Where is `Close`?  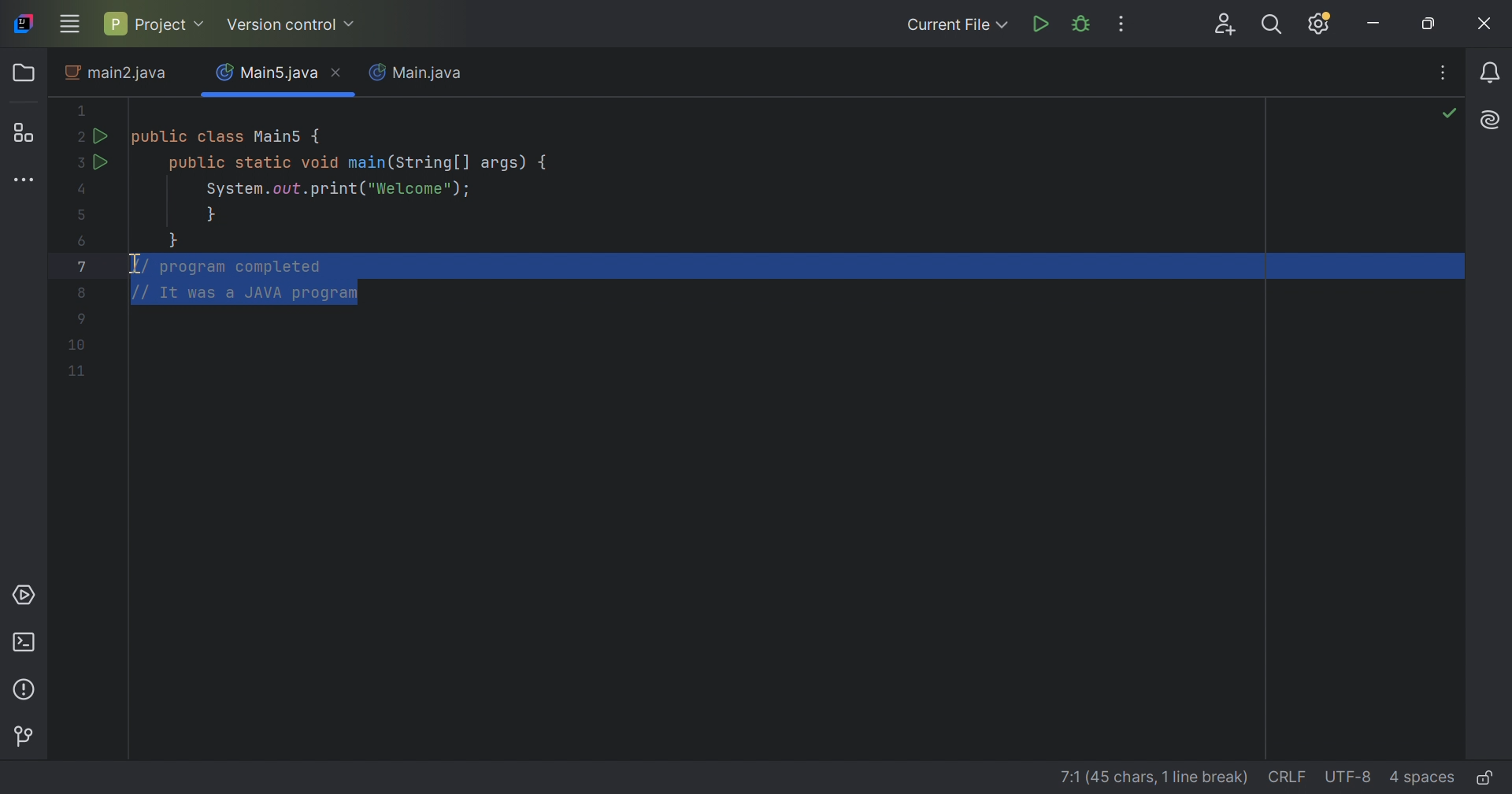
Close is located at coordinates (340, 74).